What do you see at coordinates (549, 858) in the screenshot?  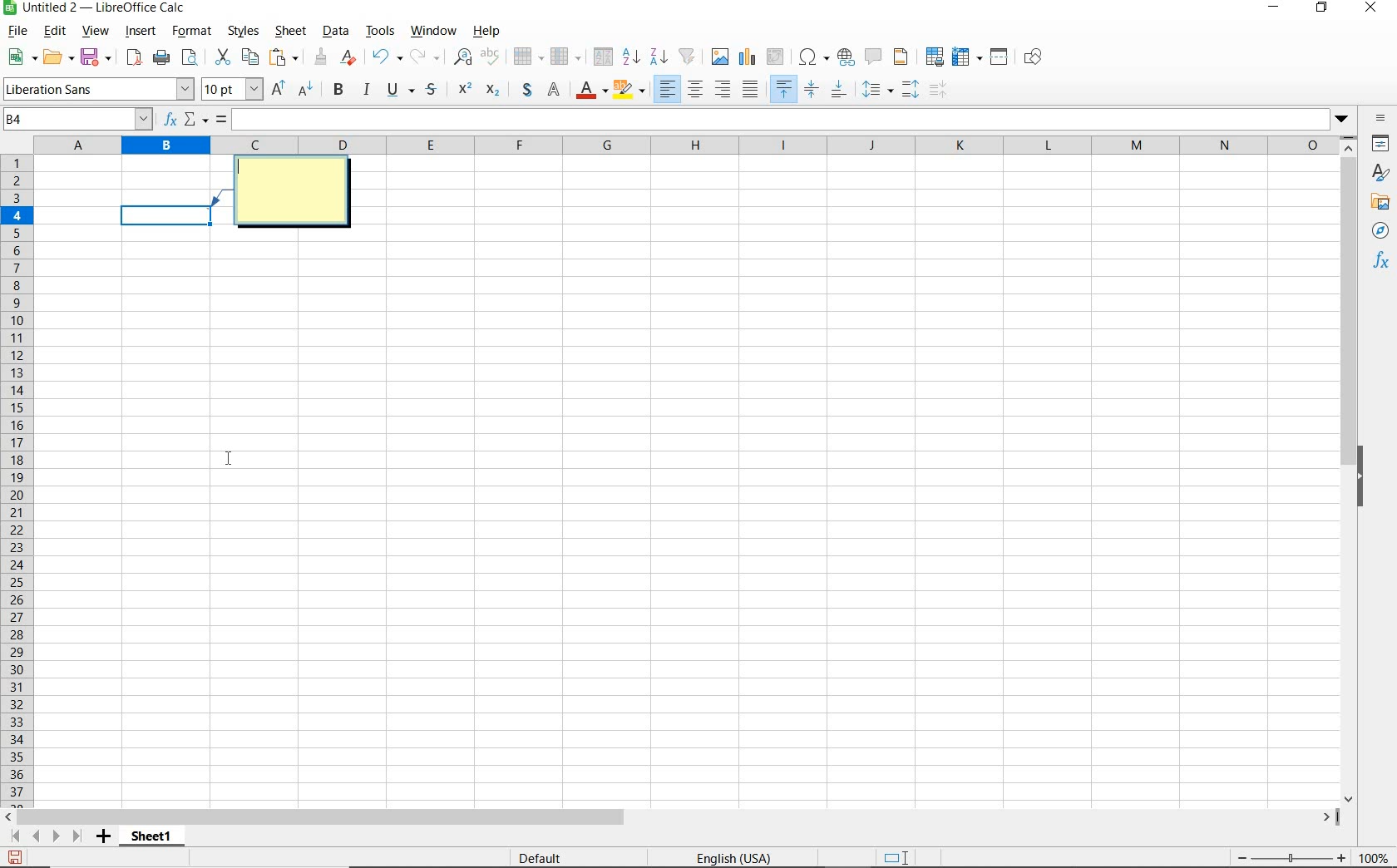 I see `default` at bounding box center [549, 858].